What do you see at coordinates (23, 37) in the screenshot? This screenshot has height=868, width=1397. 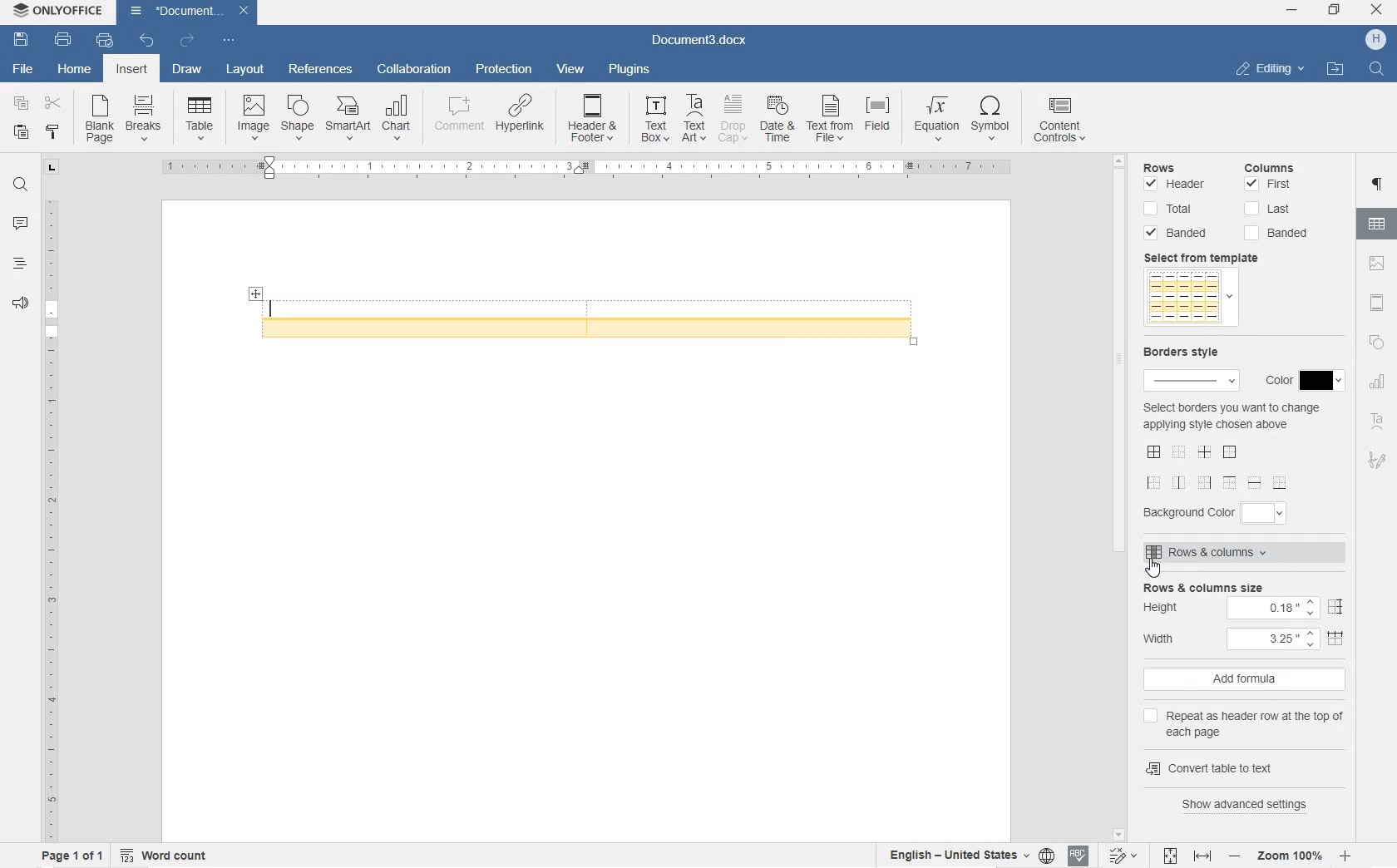 I see `SAVE` at bounding box center [23, 37].